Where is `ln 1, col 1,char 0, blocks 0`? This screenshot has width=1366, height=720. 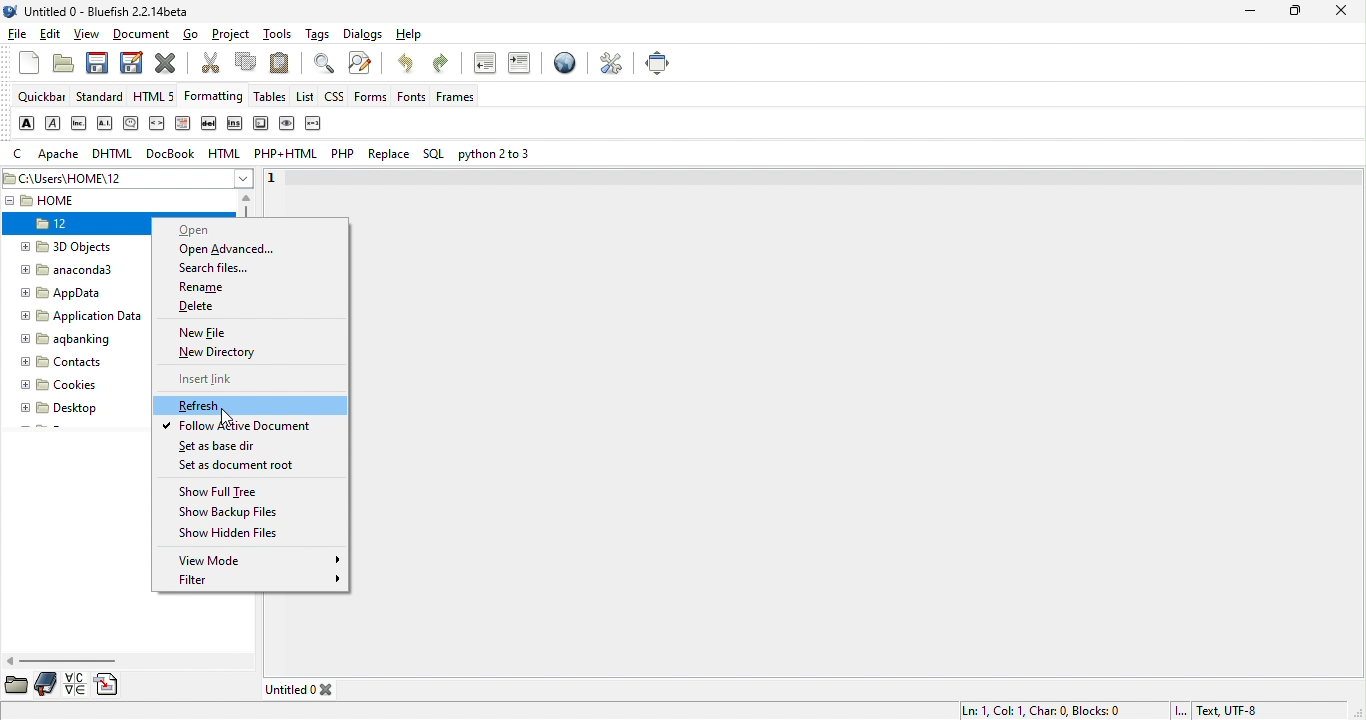 ln 1, col 1,char 0, blocks 0 is located at coordinates (1042, 708).